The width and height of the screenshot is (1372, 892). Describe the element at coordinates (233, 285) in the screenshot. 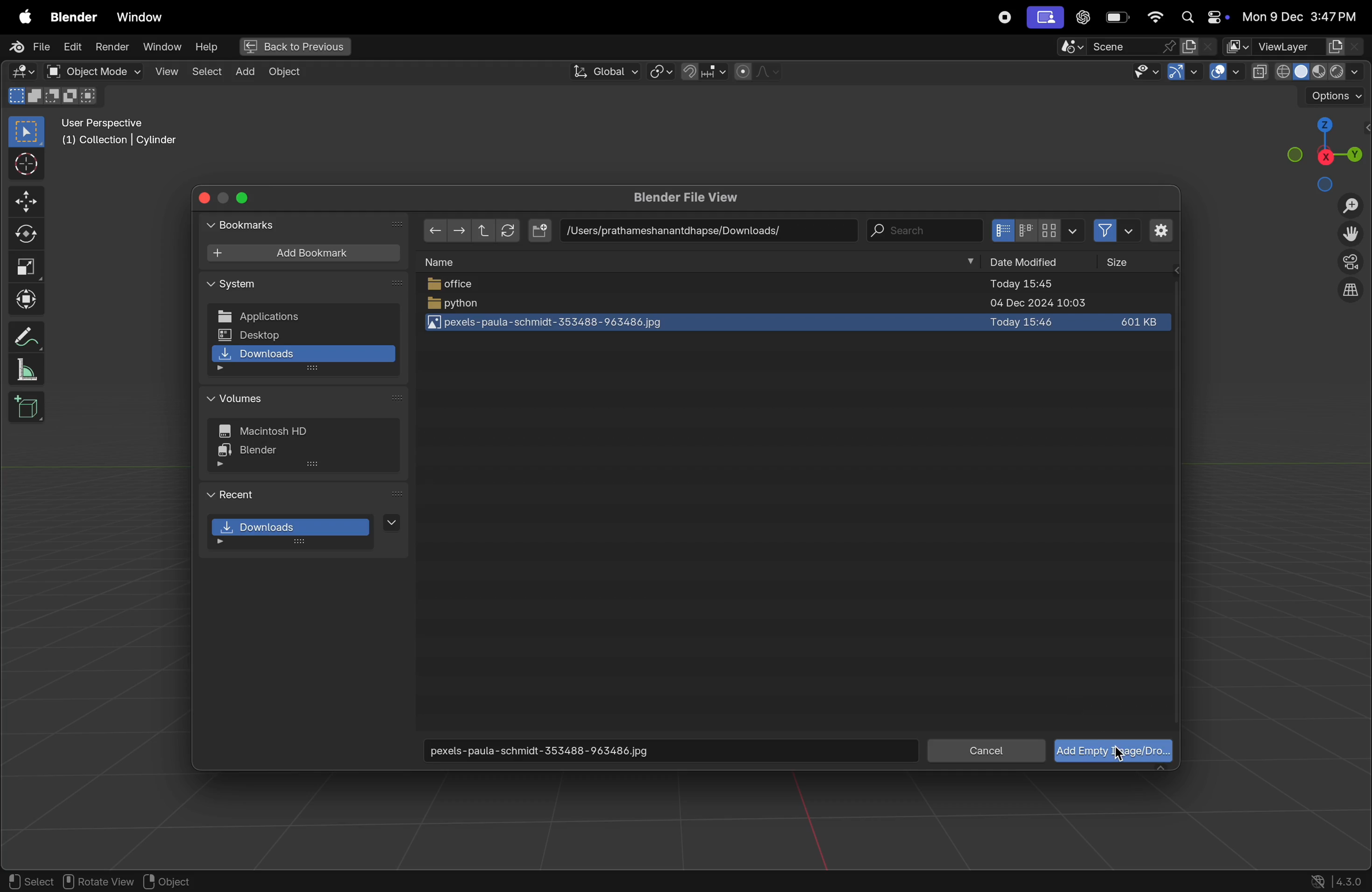

I see `system` at that location.